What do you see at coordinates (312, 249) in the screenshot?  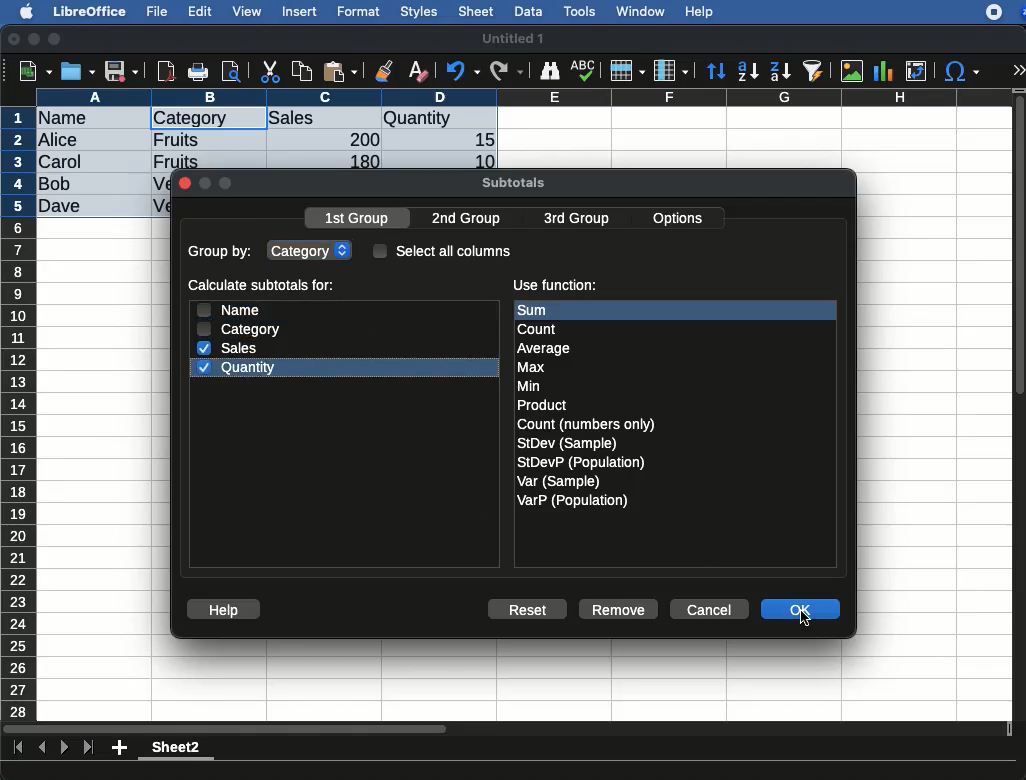 I see `category` at bounding box center [312, 249].